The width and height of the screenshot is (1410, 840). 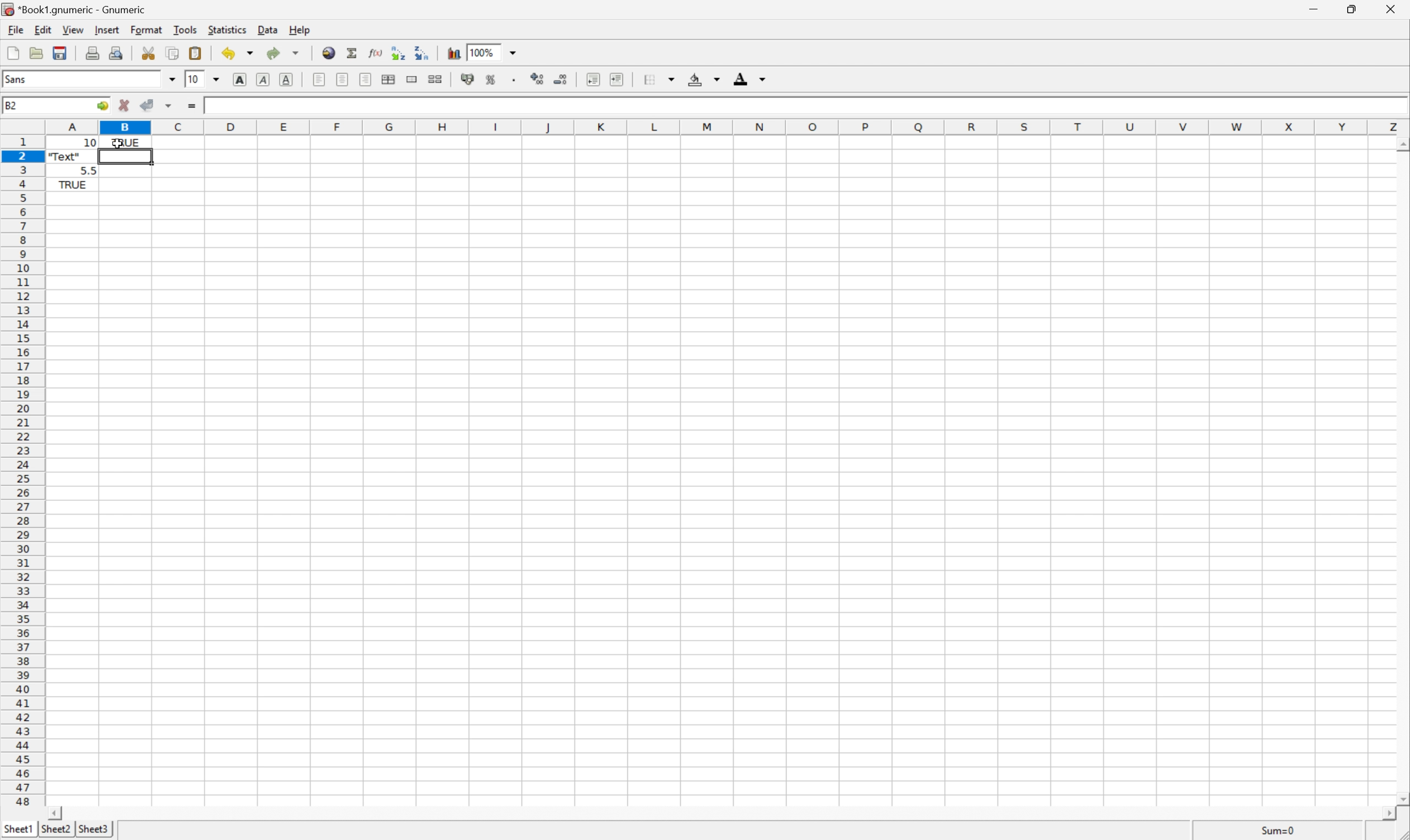 I want to click on Open a file, so click(x=39, y=54).